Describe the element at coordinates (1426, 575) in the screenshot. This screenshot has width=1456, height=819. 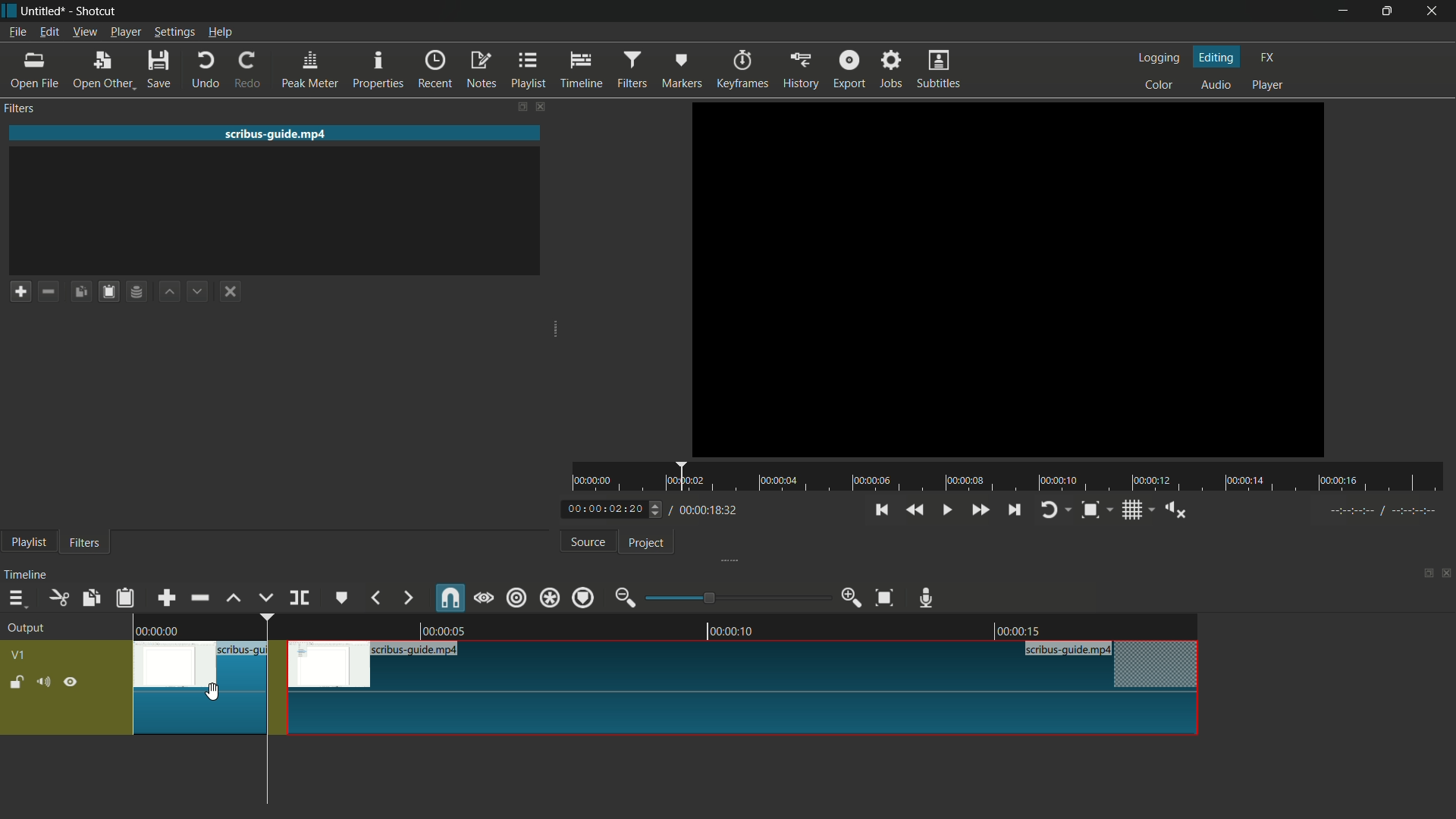
I see `change layout` at that location.